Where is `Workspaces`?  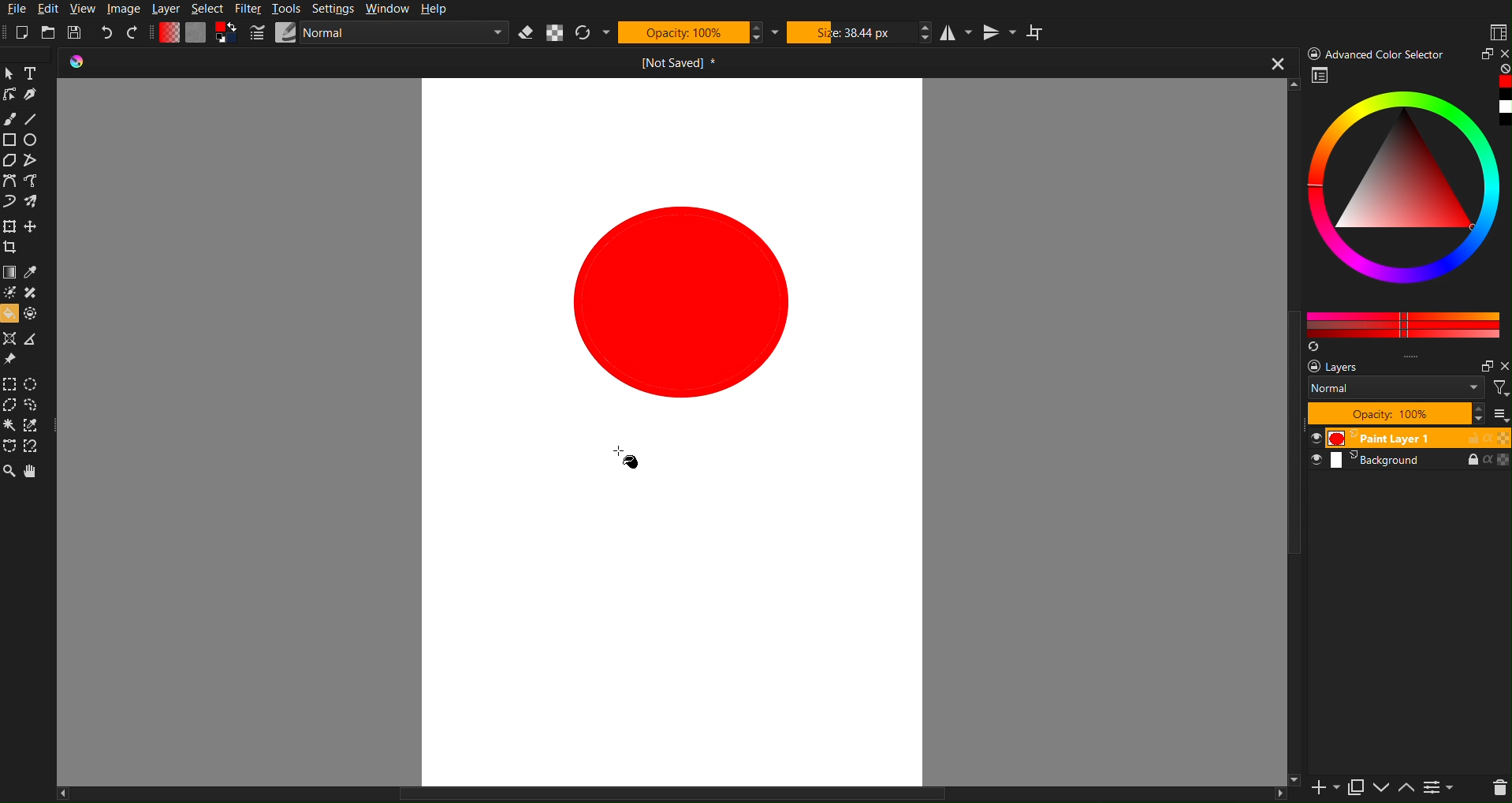 Workspaces is located at coordinates (1497, 31).